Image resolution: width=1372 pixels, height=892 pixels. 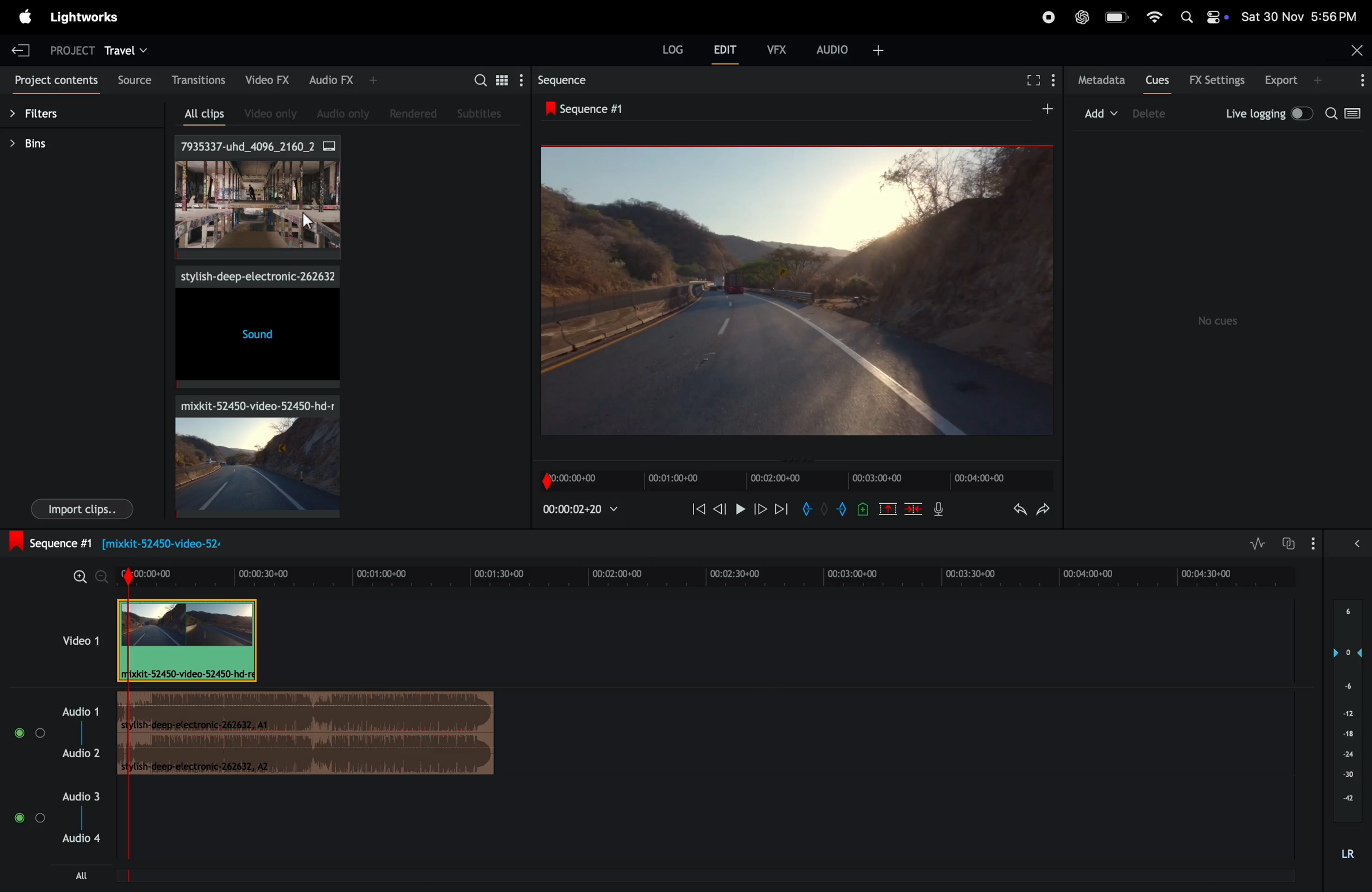 What do you see at coordinates (789, 476) in the screenshot?
I see `timeframe` at bounding box center [789, 476].